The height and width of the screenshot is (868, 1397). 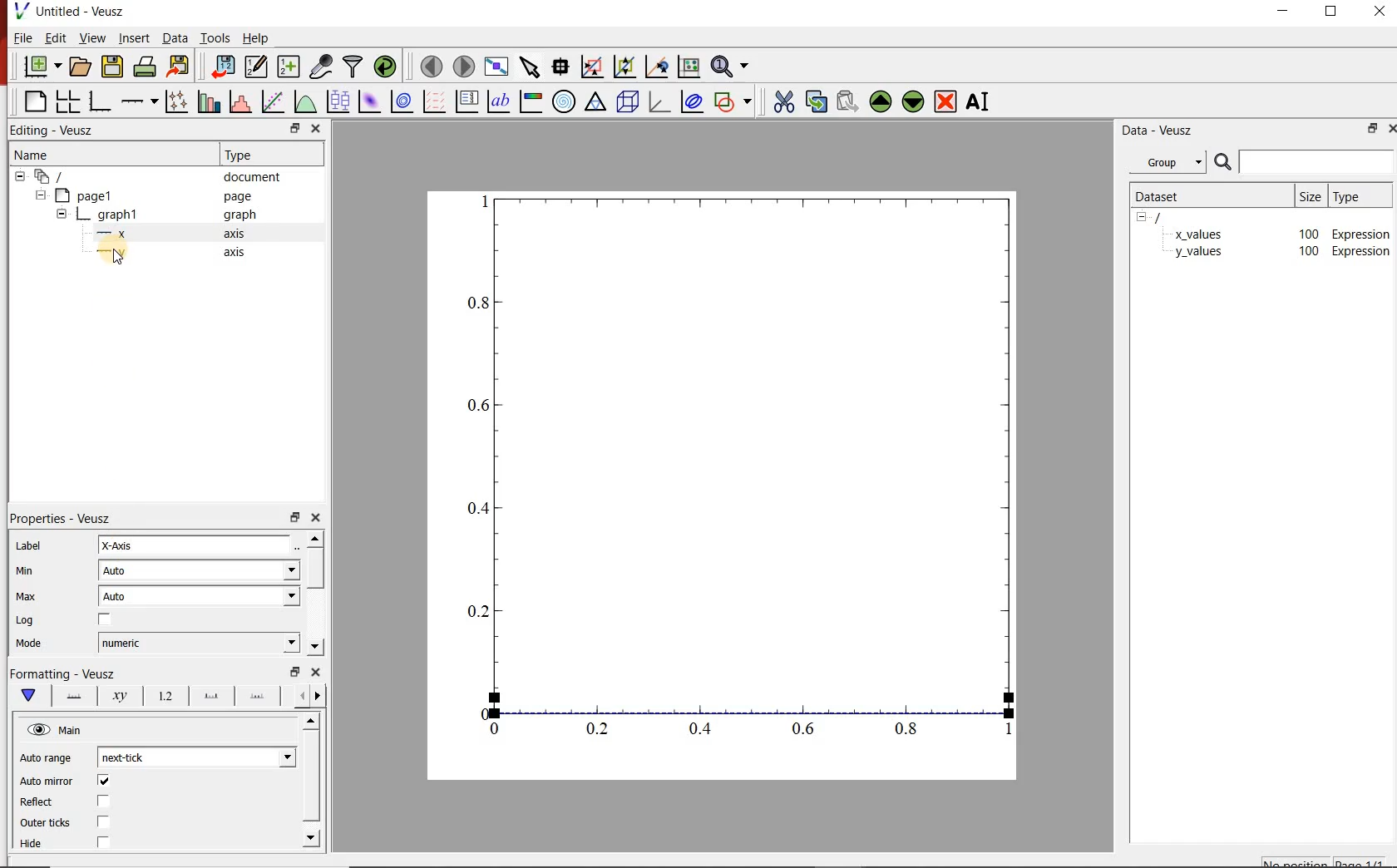 What do you see at coordinates (1358, 197) in the screenshot?
I see `type` at bounding box center [1358, 197].